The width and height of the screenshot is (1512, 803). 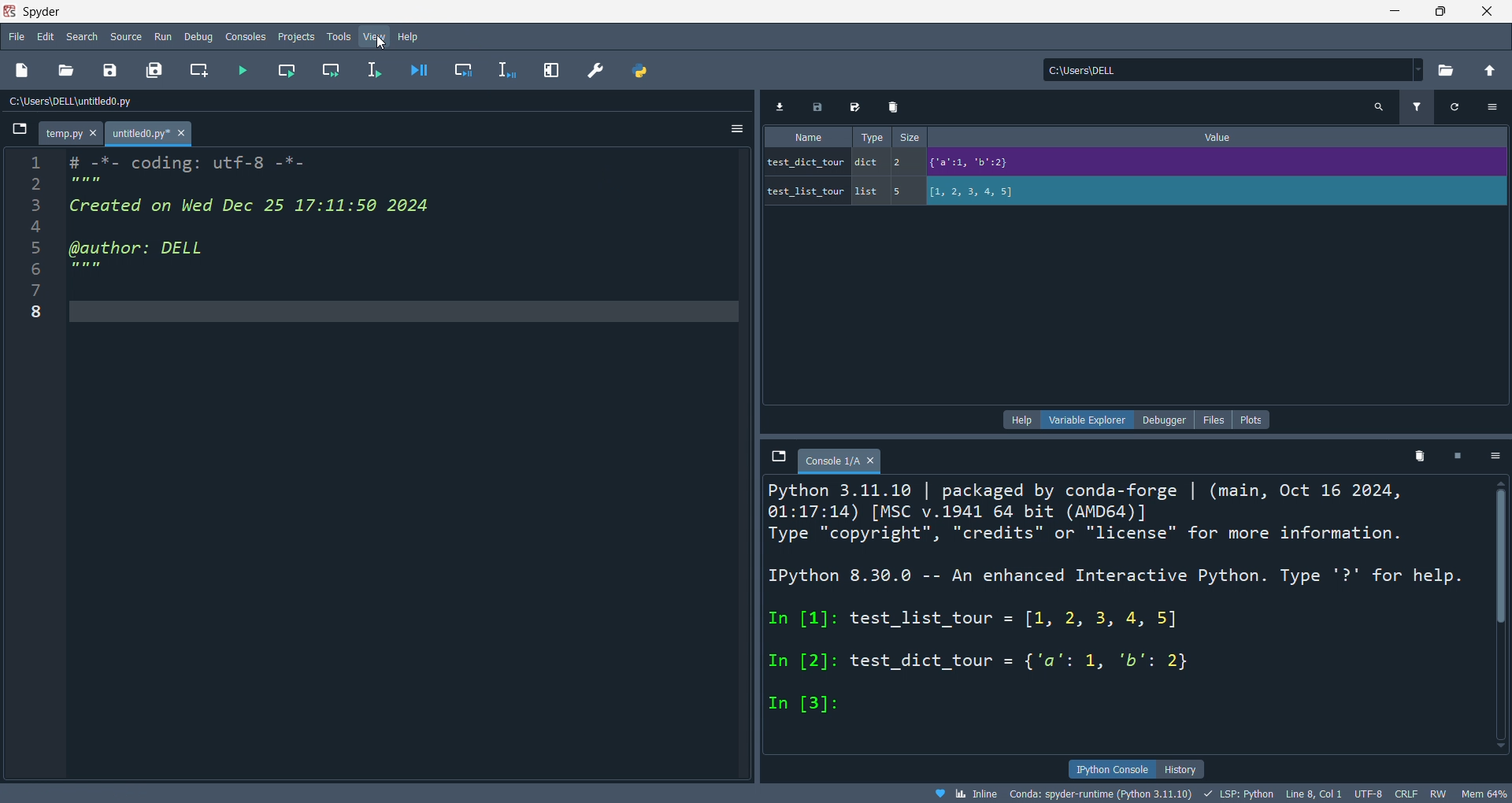 What do you see at coordinates (462, 71) in the screenshot?
I see `debug cell` at bounding box center [462, 71].